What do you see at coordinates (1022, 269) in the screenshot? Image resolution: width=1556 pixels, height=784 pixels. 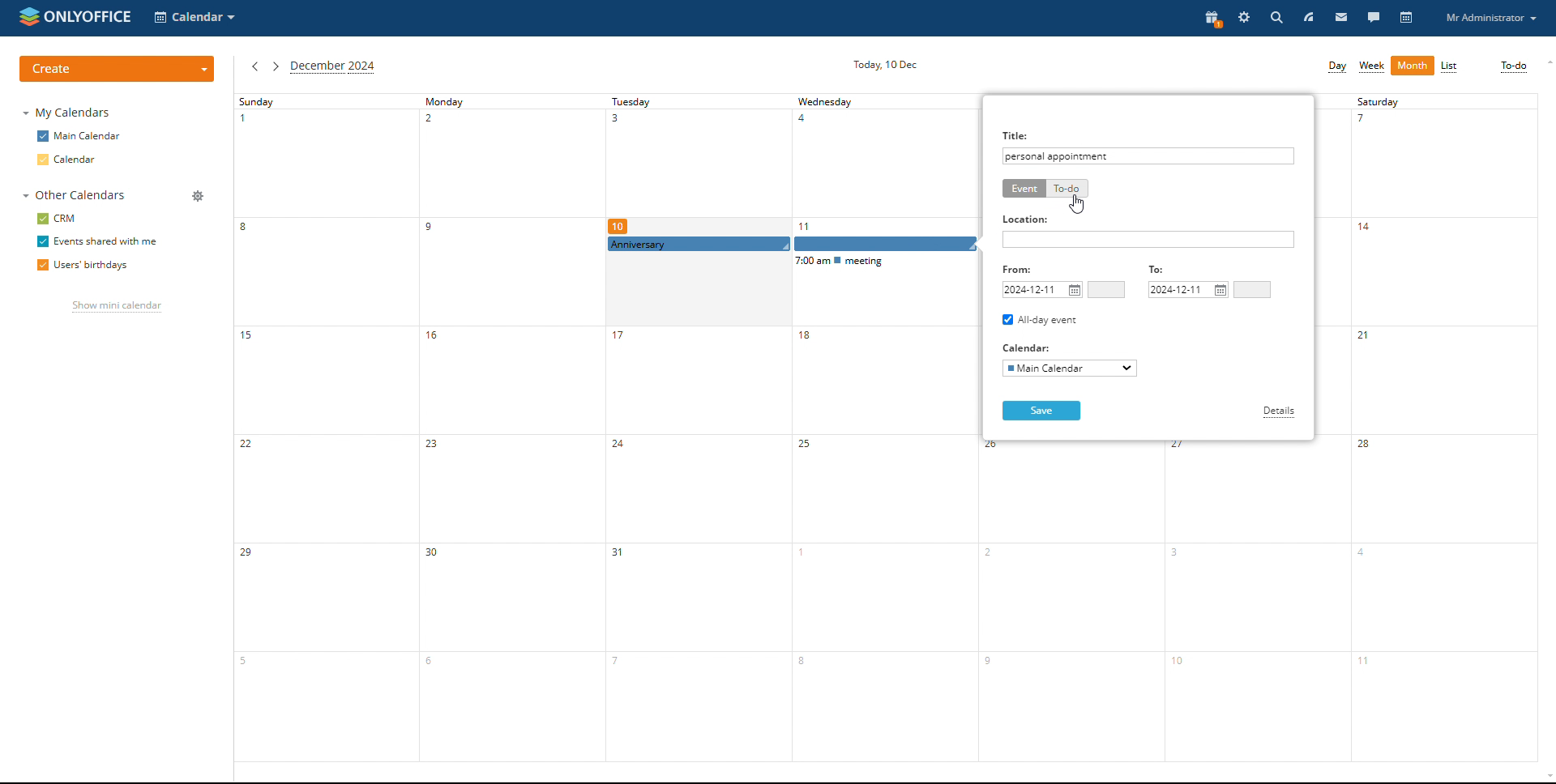 I see `From:` at bounding box center [1022, 269].